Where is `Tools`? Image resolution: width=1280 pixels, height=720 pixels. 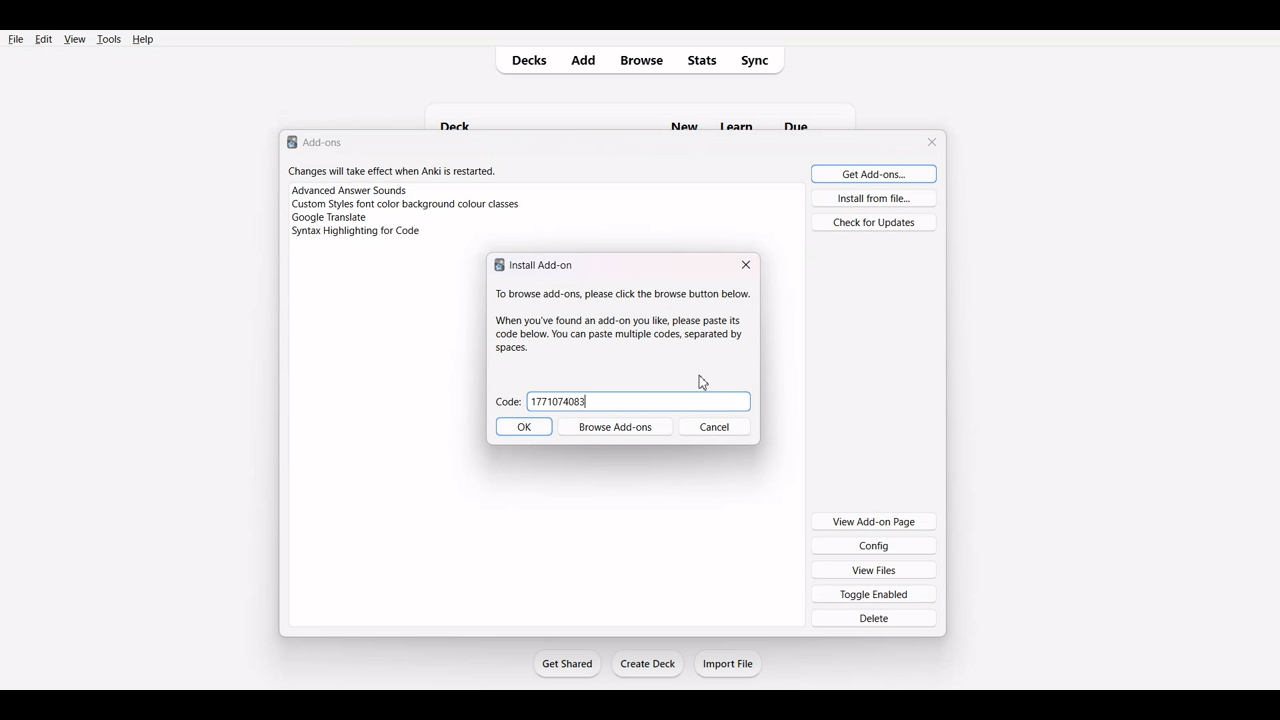
Tools is located at coordinates (108, 39).